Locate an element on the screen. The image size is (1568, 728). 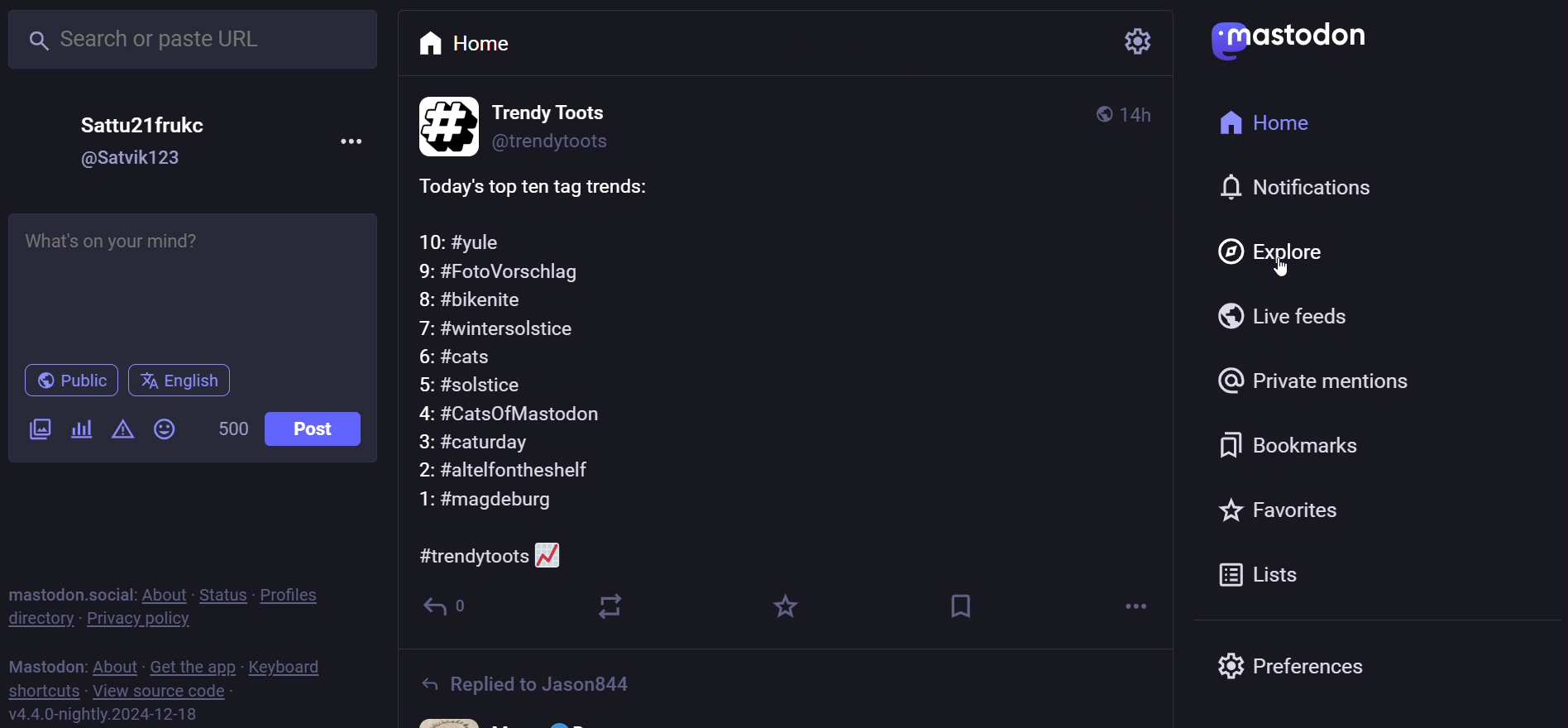
home is located at coordinates (471, 44).